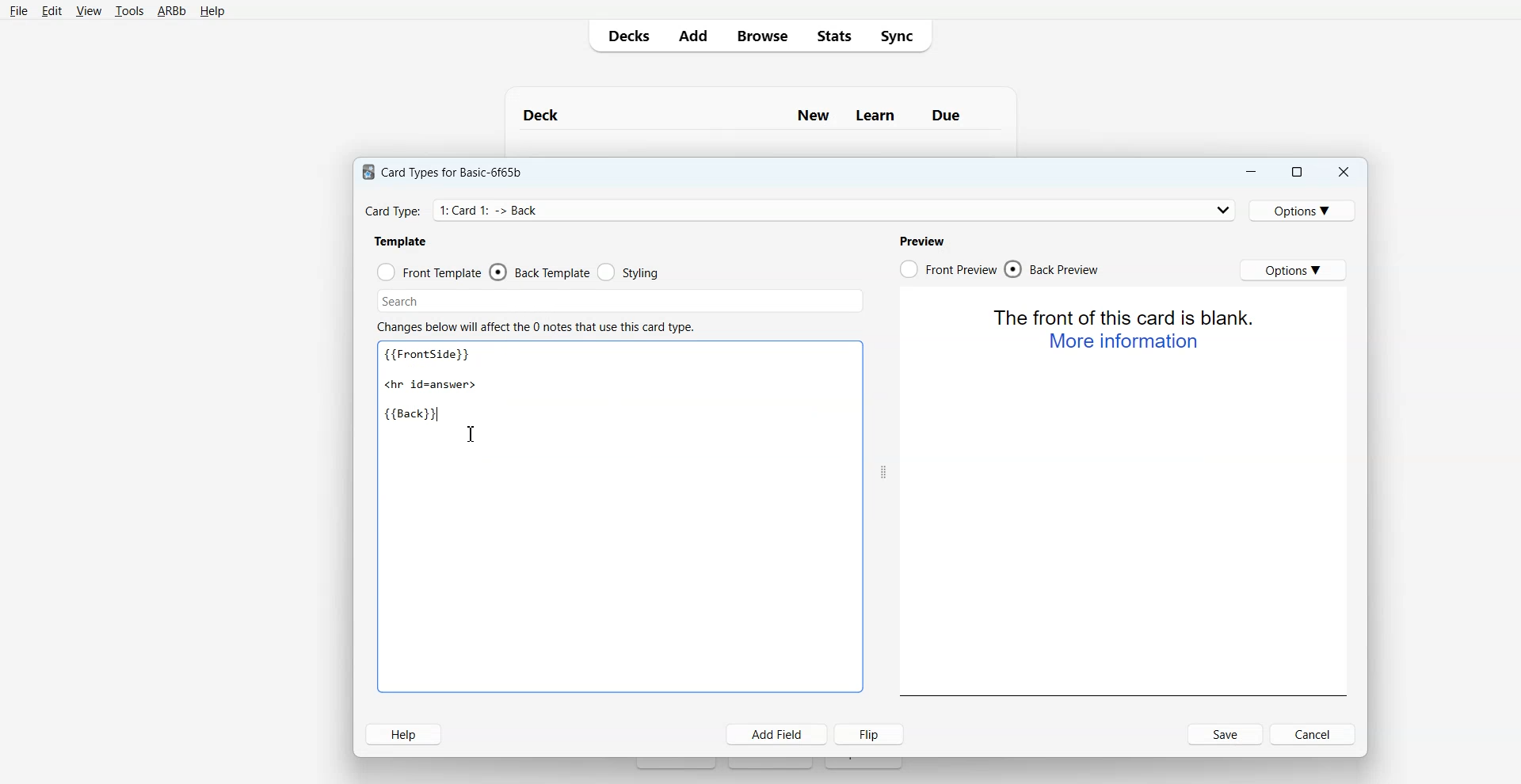 The height and width of the screenshot is (784, 1521). Describe the element at coordinates (401, 241) in the screenshot. I see `Text 2` at that location.